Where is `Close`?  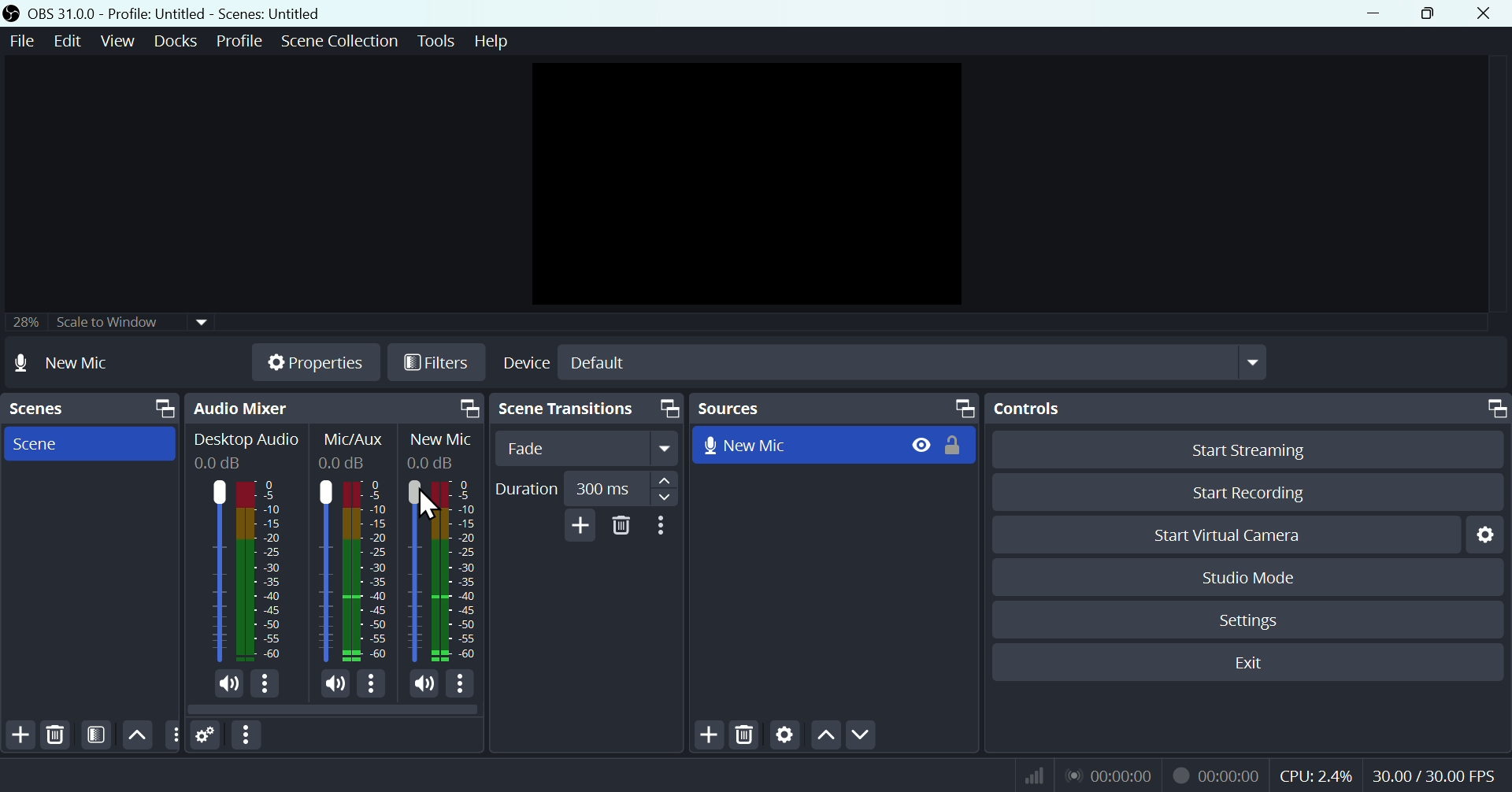 Close is located at coordinates (1482, 13).